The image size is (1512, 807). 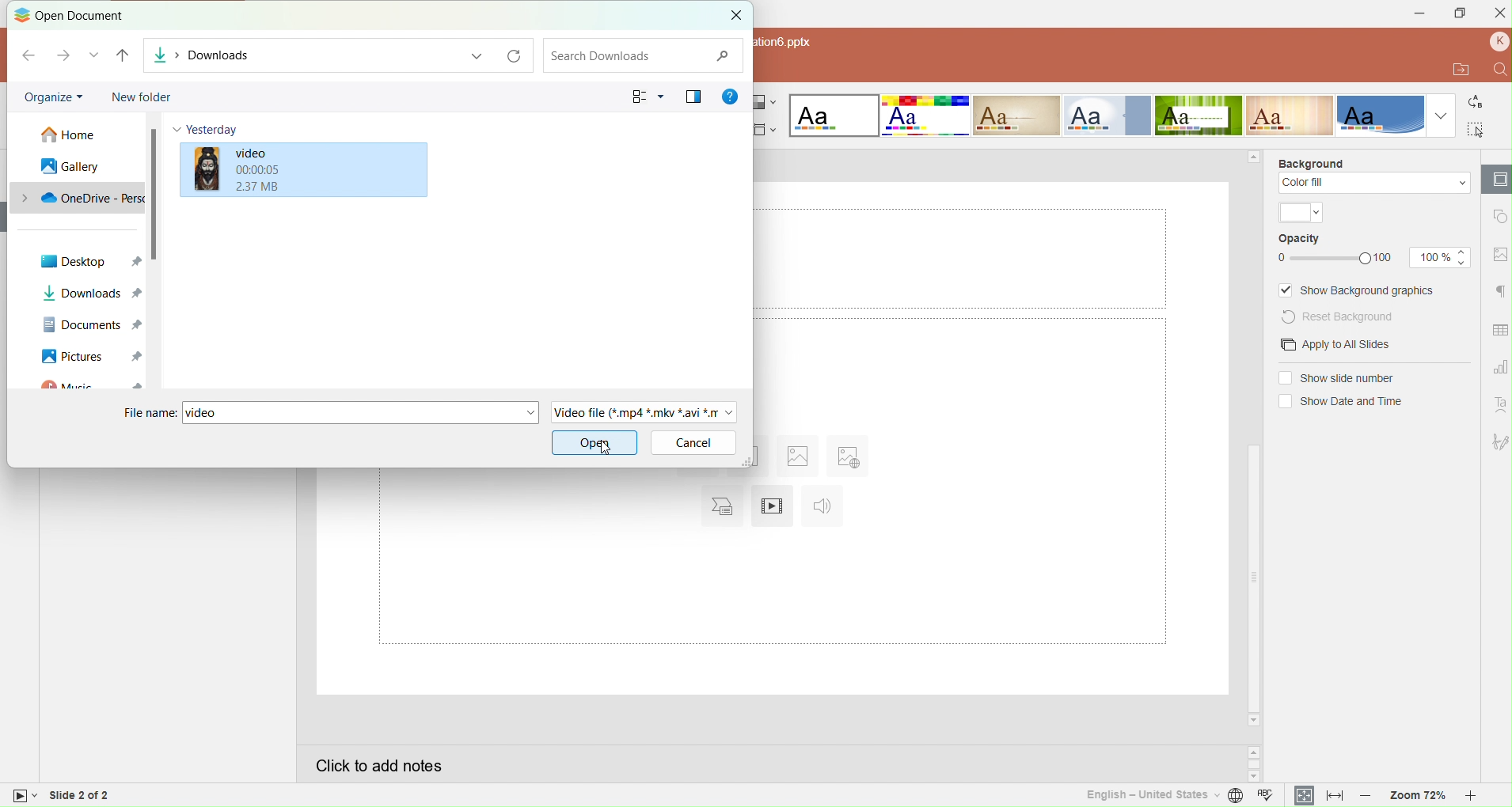 What do you see at coordinates (1236, 796) in the screenshot?
I see `Set document language` at bounding box center [1236, 796].